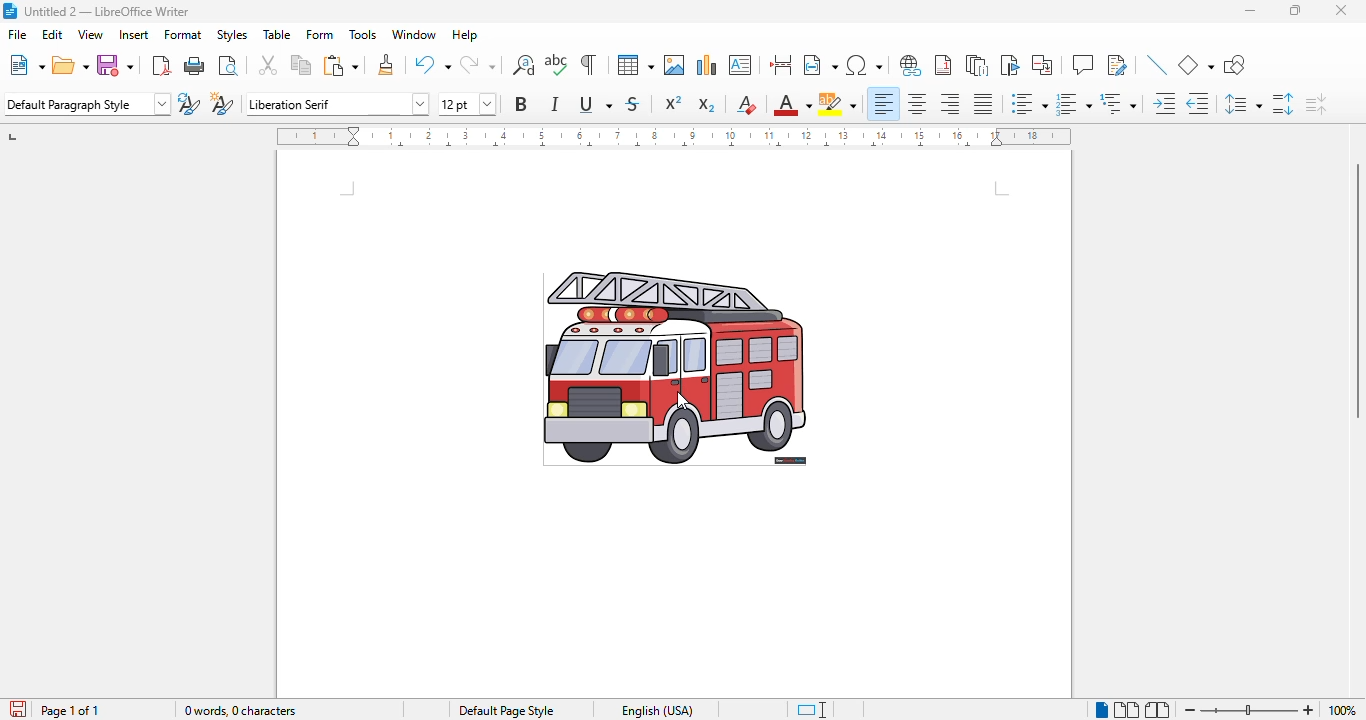 The image size is (1366, 720). I want to click on insert, so click(135, 34).